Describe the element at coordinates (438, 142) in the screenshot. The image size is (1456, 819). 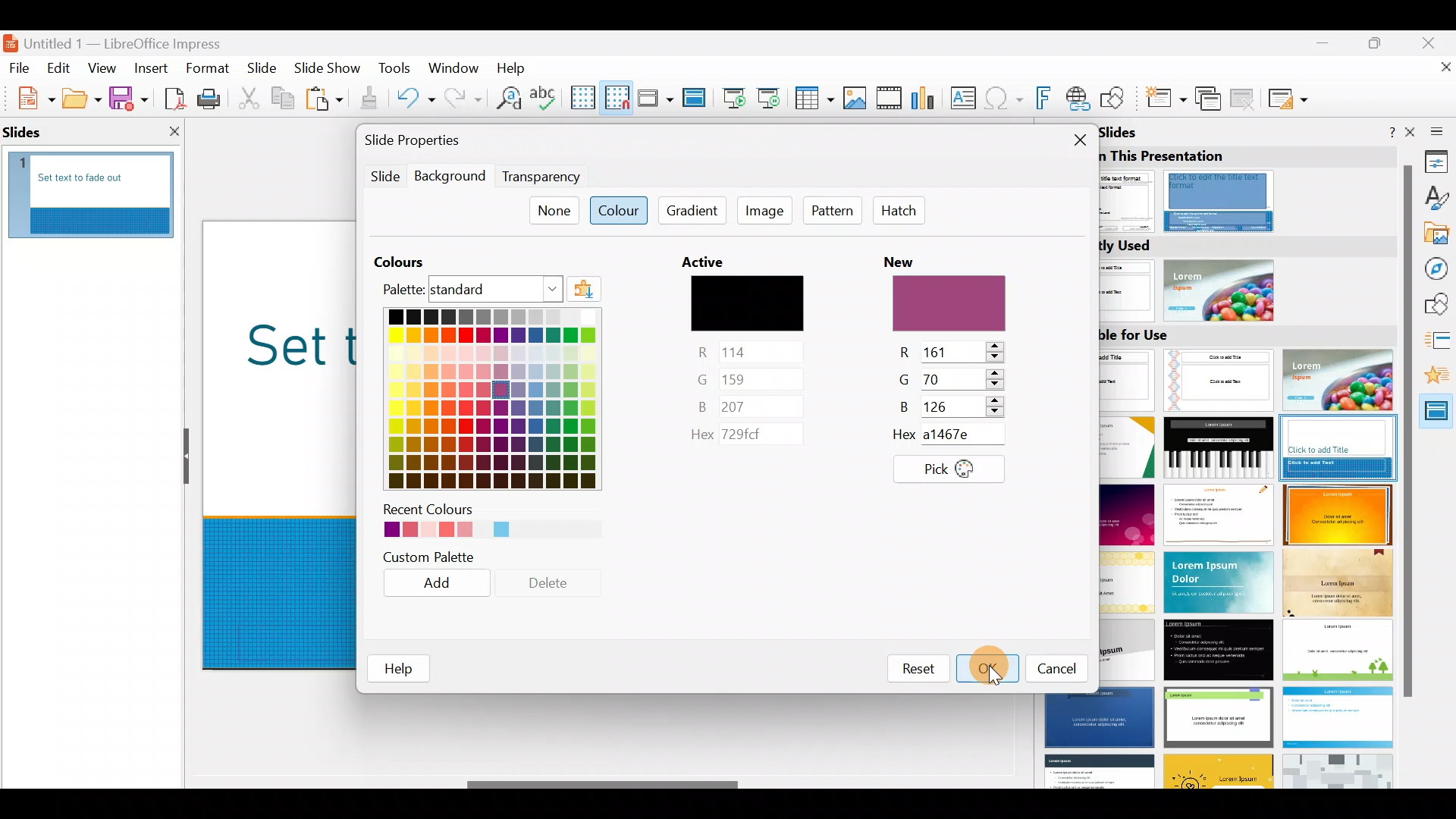
I see `Slide properties` at that location.